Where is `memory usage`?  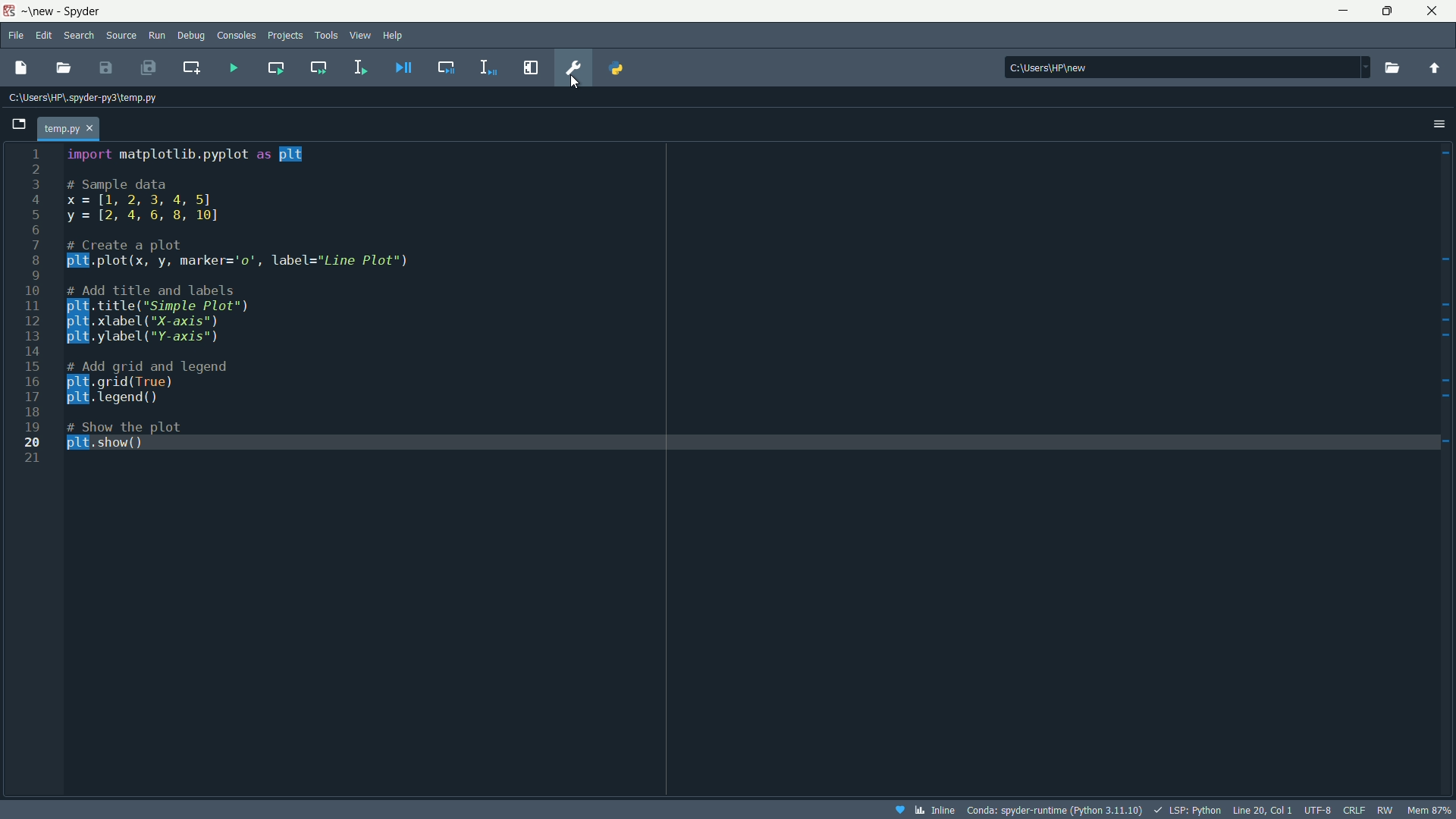 memory usage is located at coordinates (1432, 810).